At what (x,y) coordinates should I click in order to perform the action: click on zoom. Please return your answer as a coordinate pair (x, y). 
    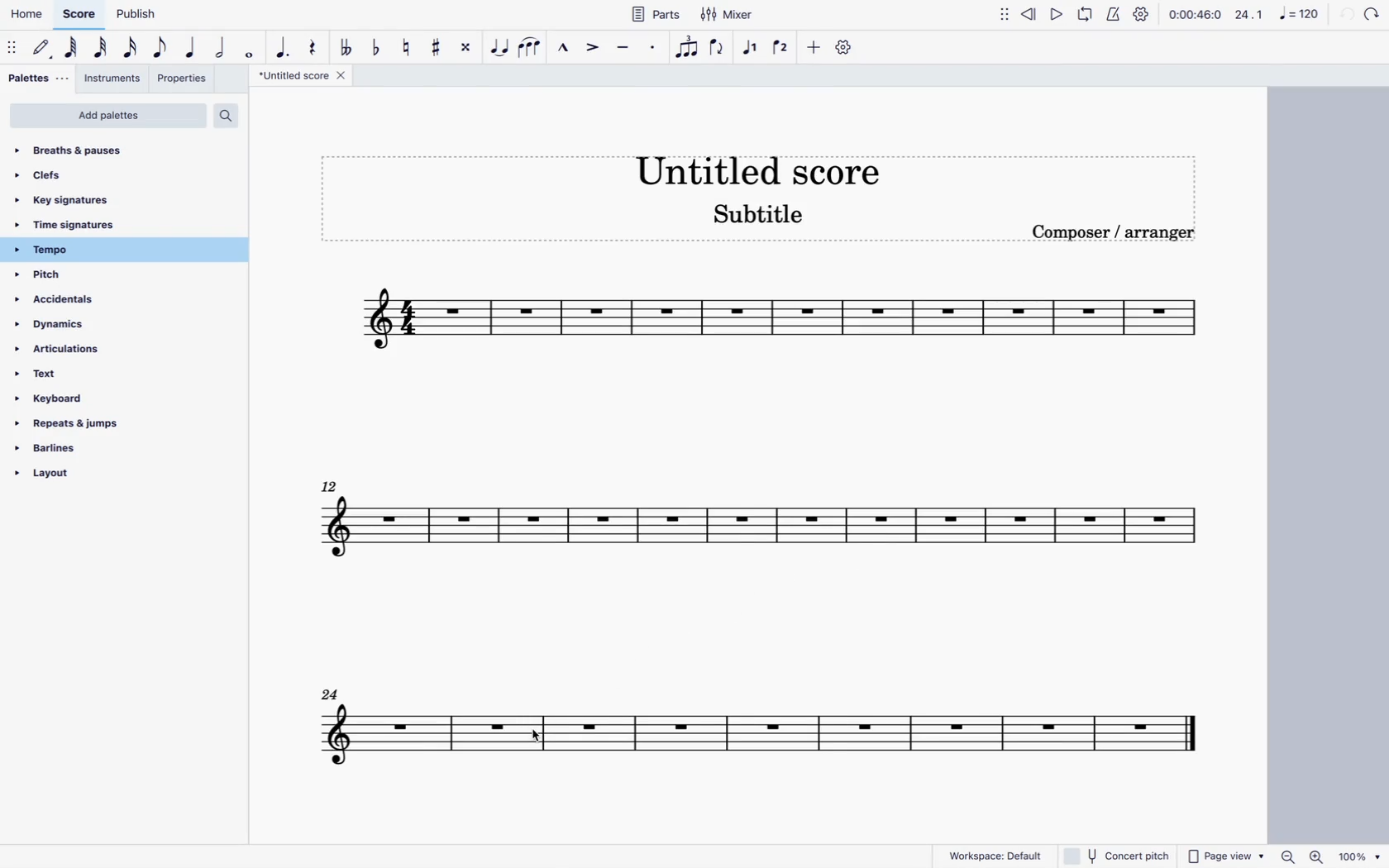
    Looking at the image, I should click on (1332, 856).